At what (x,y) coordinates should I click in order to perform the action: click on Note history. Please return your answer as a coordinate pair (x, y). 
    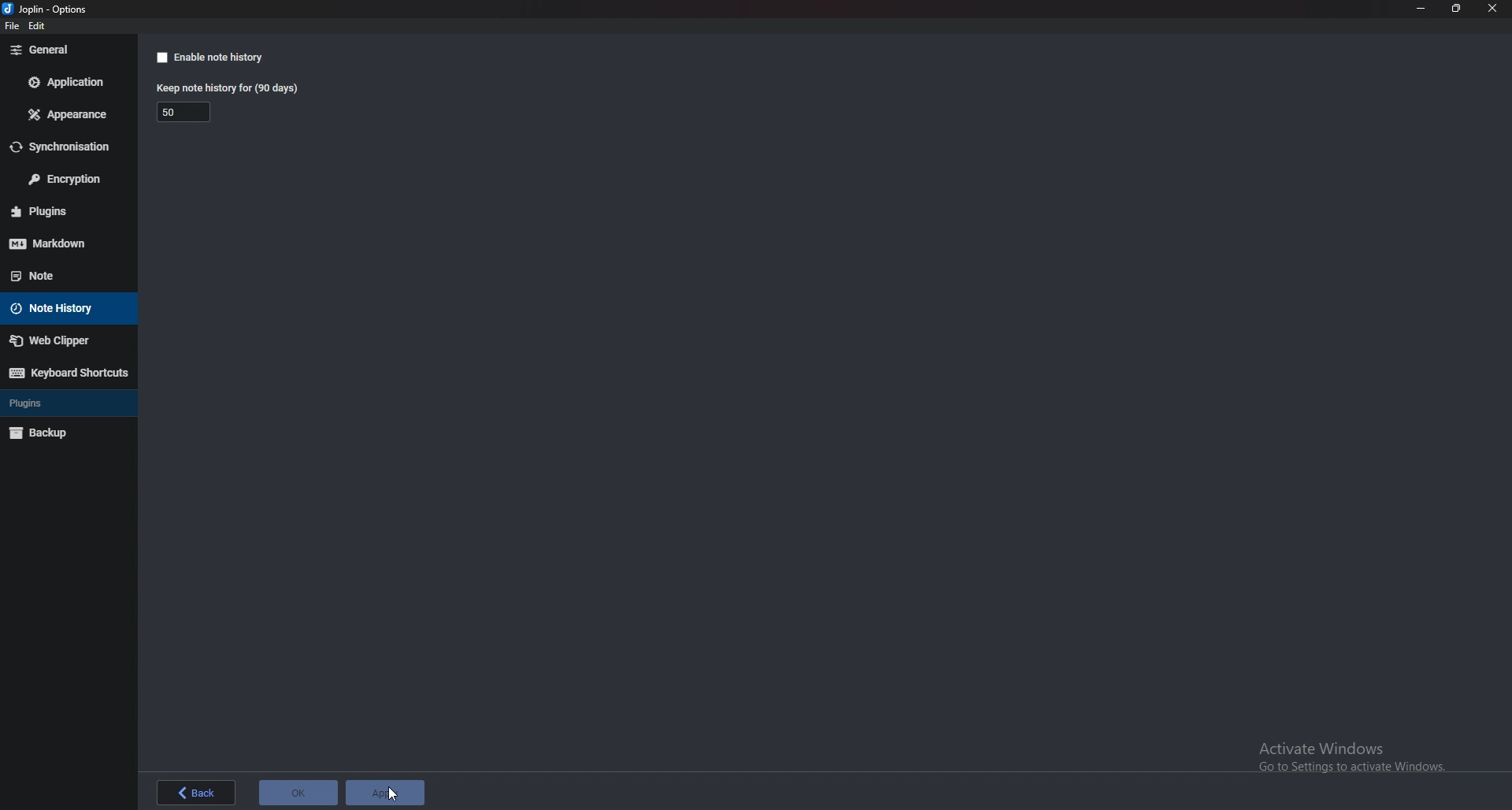
    Looking at the image, I should click on (61, 309).